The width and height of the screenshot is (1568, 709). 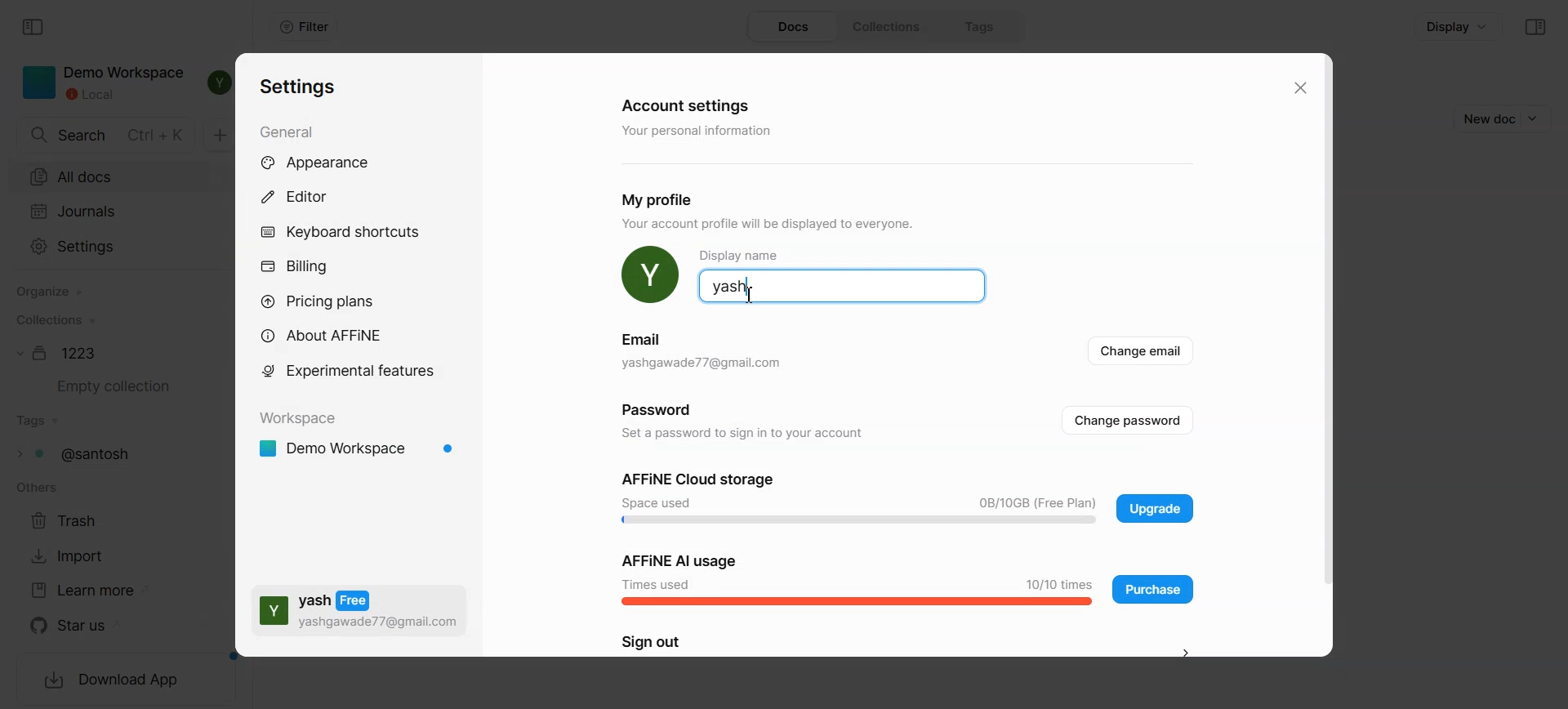 What do you see at coordinates (701, 132) in the screenshot?
I see `‘Your personal information` at bounding box center [701, 132].